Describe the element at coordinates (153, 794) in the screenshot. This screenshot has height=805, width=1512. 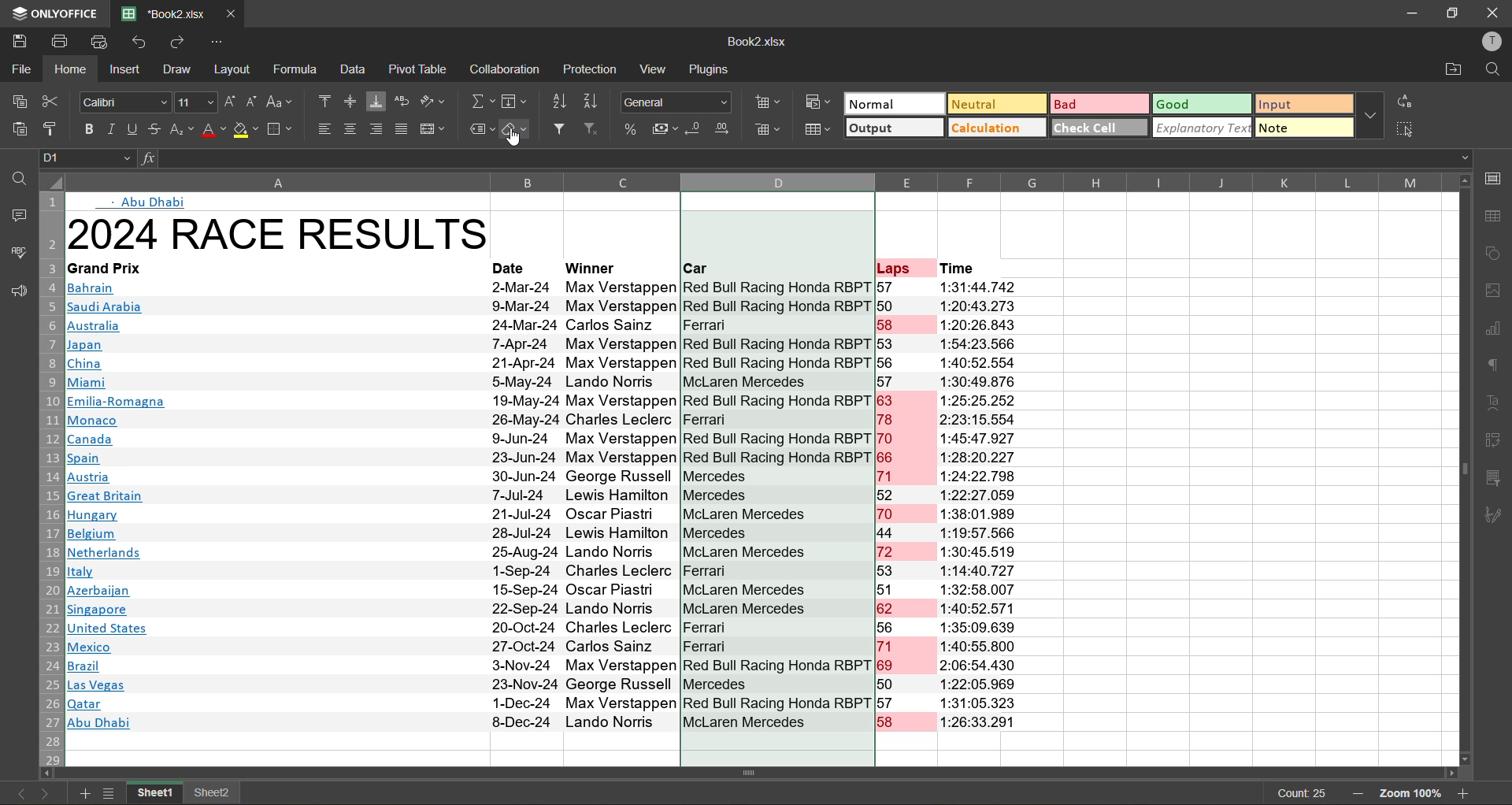
I see `sheet1` at that location.